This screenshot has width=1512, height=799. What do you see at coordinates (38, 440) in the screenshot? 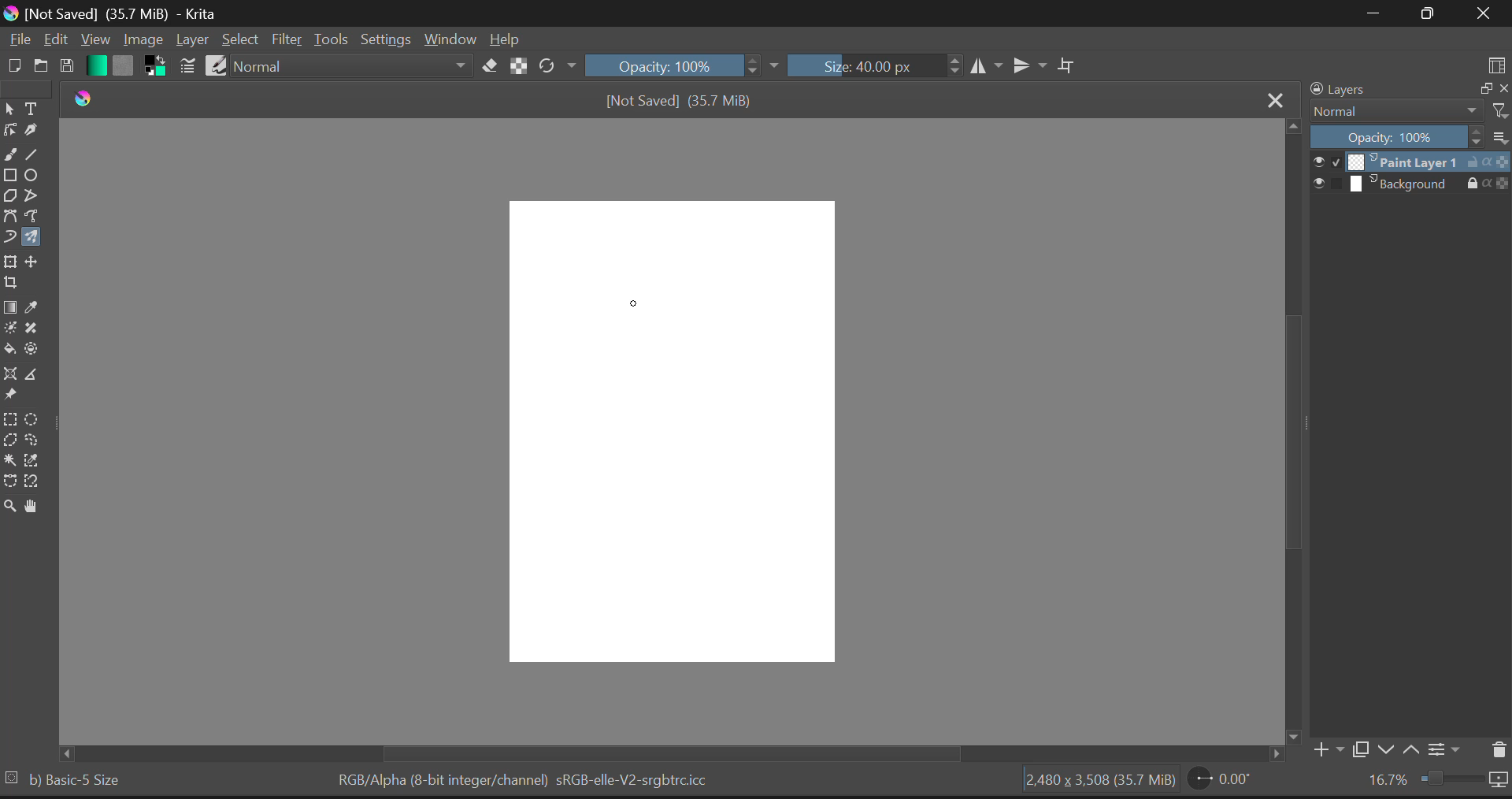
I see `Freehand Selection` at bounding box center [38, 440].